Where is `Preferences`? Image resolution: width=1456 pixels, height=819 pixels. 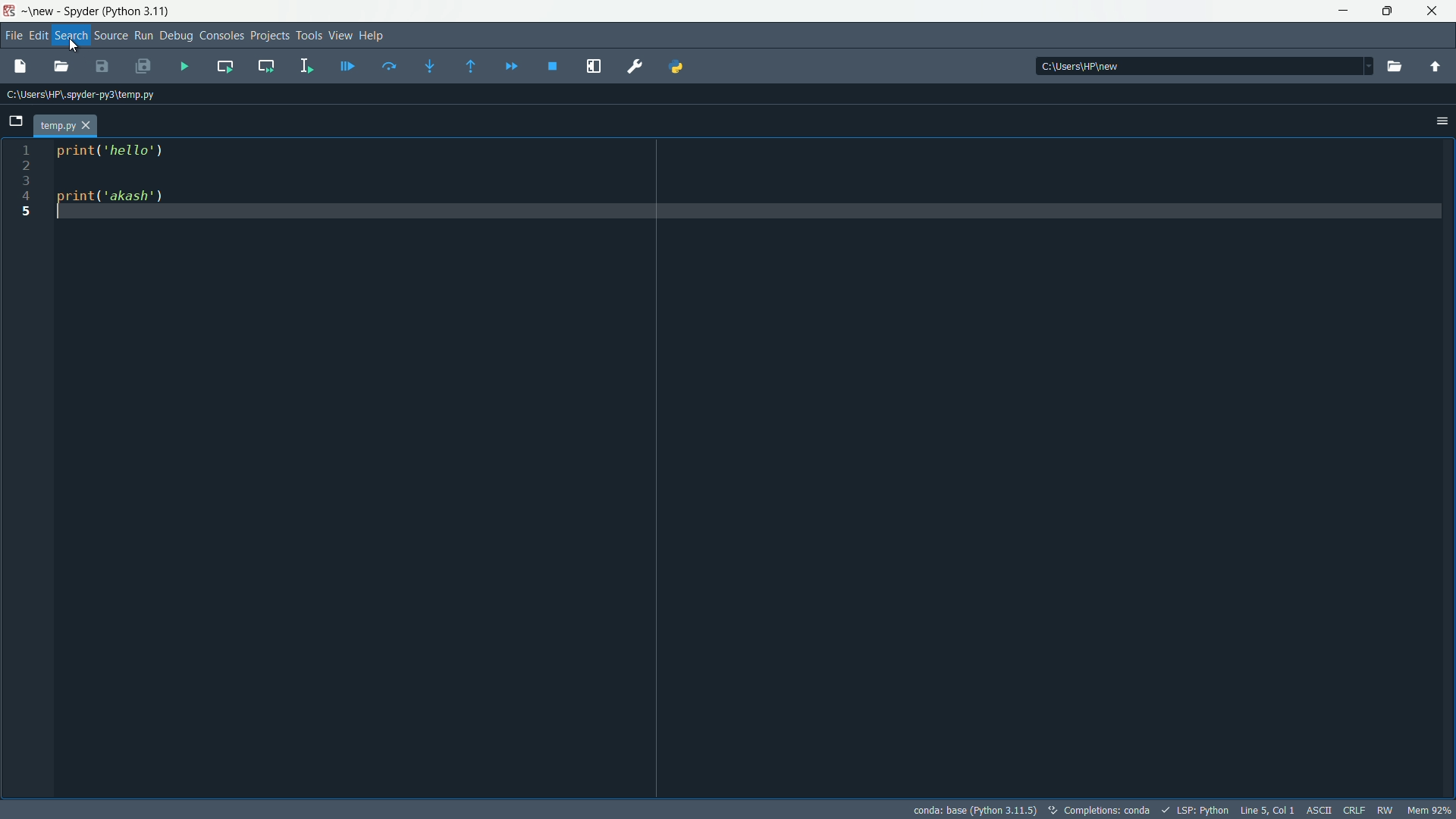 Preferences is located at coordinates (632, 69).